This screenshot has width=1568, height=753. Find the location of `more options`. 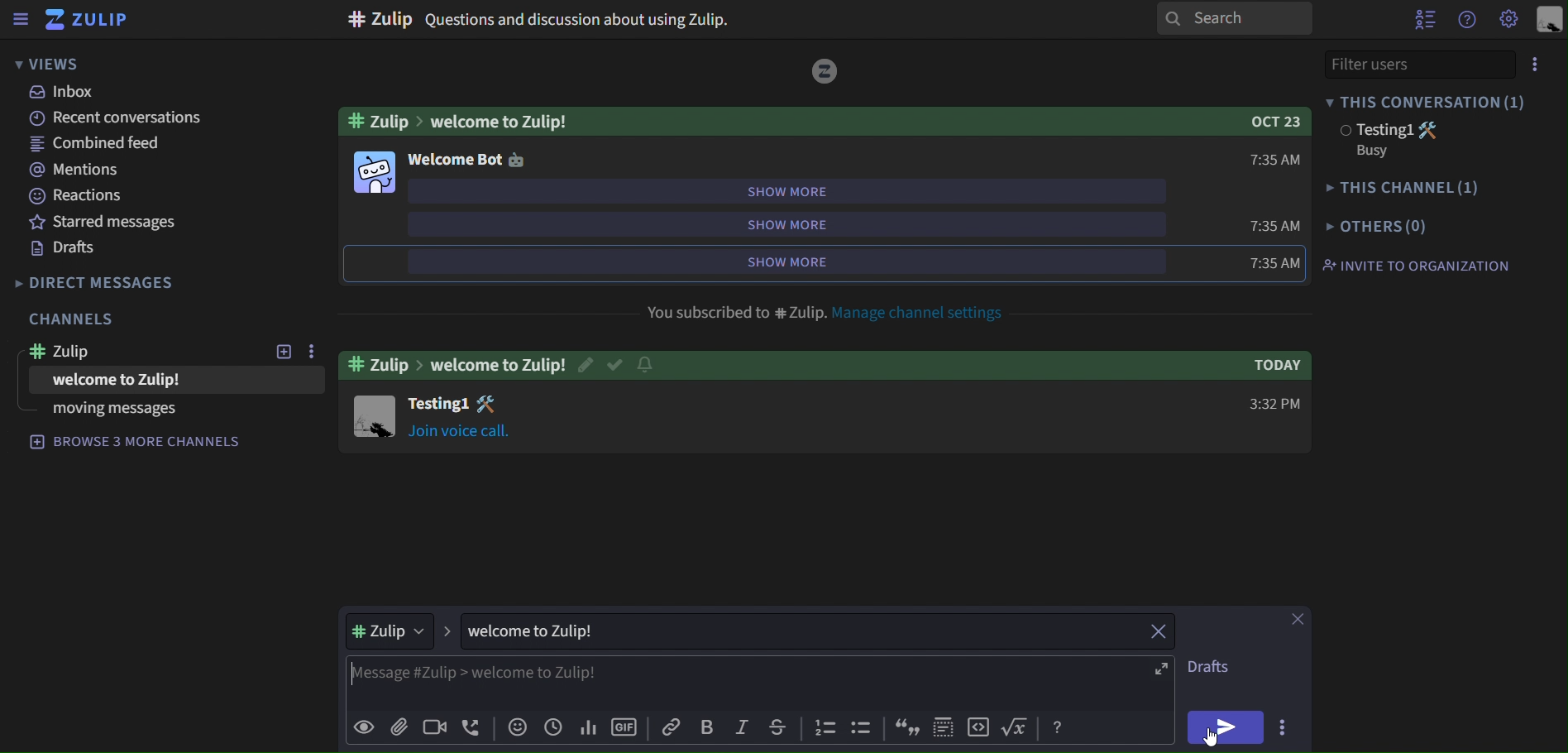

more options is located at coordinates (1537, 64).